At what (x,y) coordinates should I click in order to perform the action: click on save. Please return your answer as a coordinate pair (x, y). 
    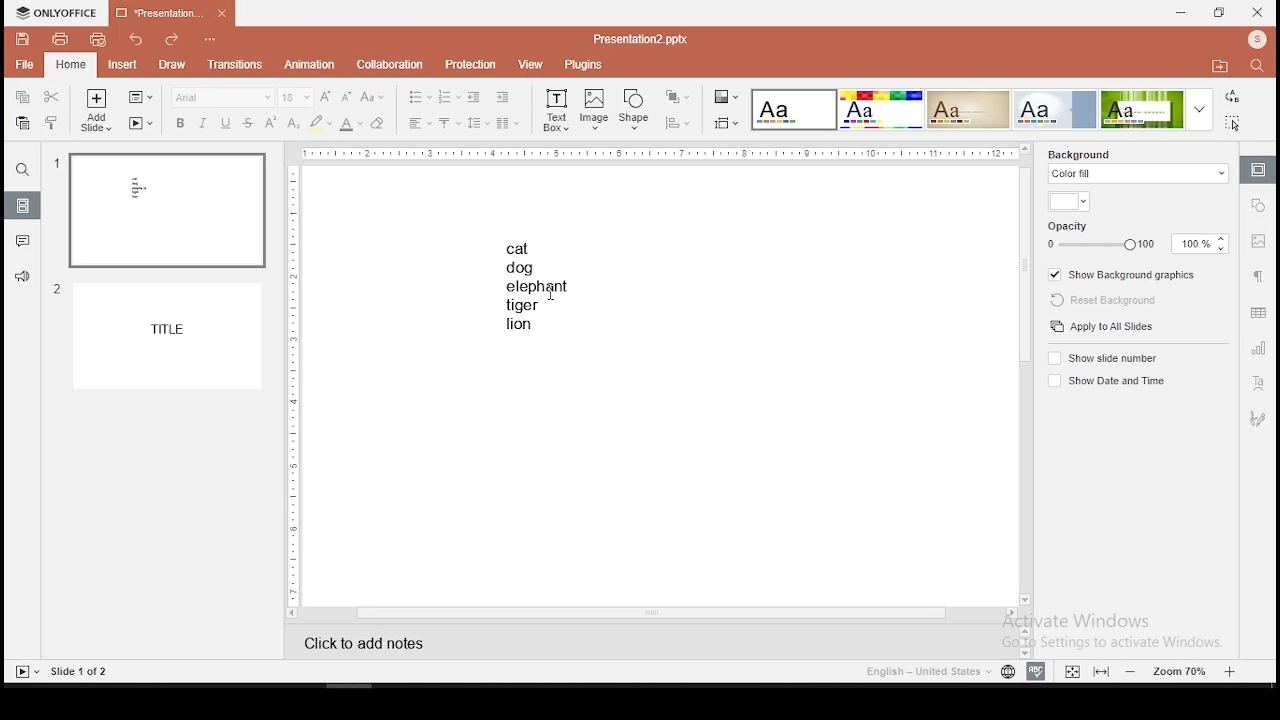
    Looking at the image, I should click on (23, 40).